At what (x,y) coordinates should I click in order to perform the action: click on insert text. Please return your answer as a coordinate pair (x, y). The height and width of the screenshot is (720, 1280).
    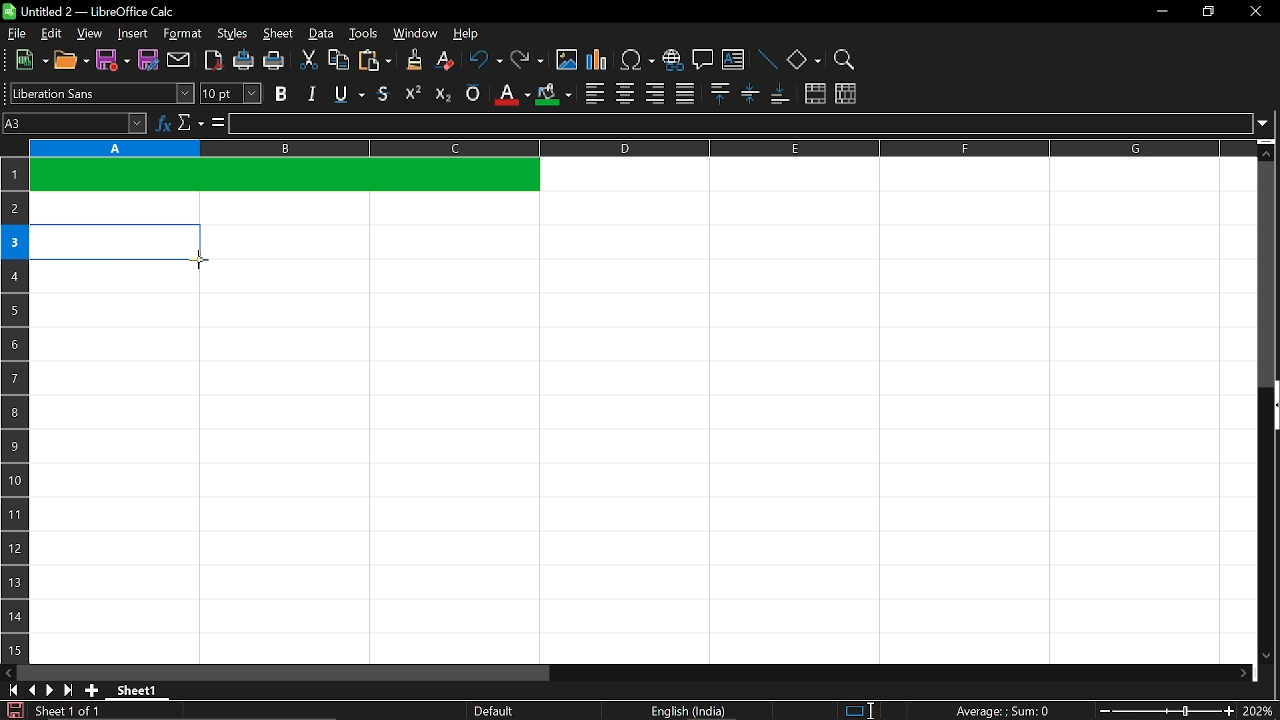
    Looking at the image, I should click on (734, 59).